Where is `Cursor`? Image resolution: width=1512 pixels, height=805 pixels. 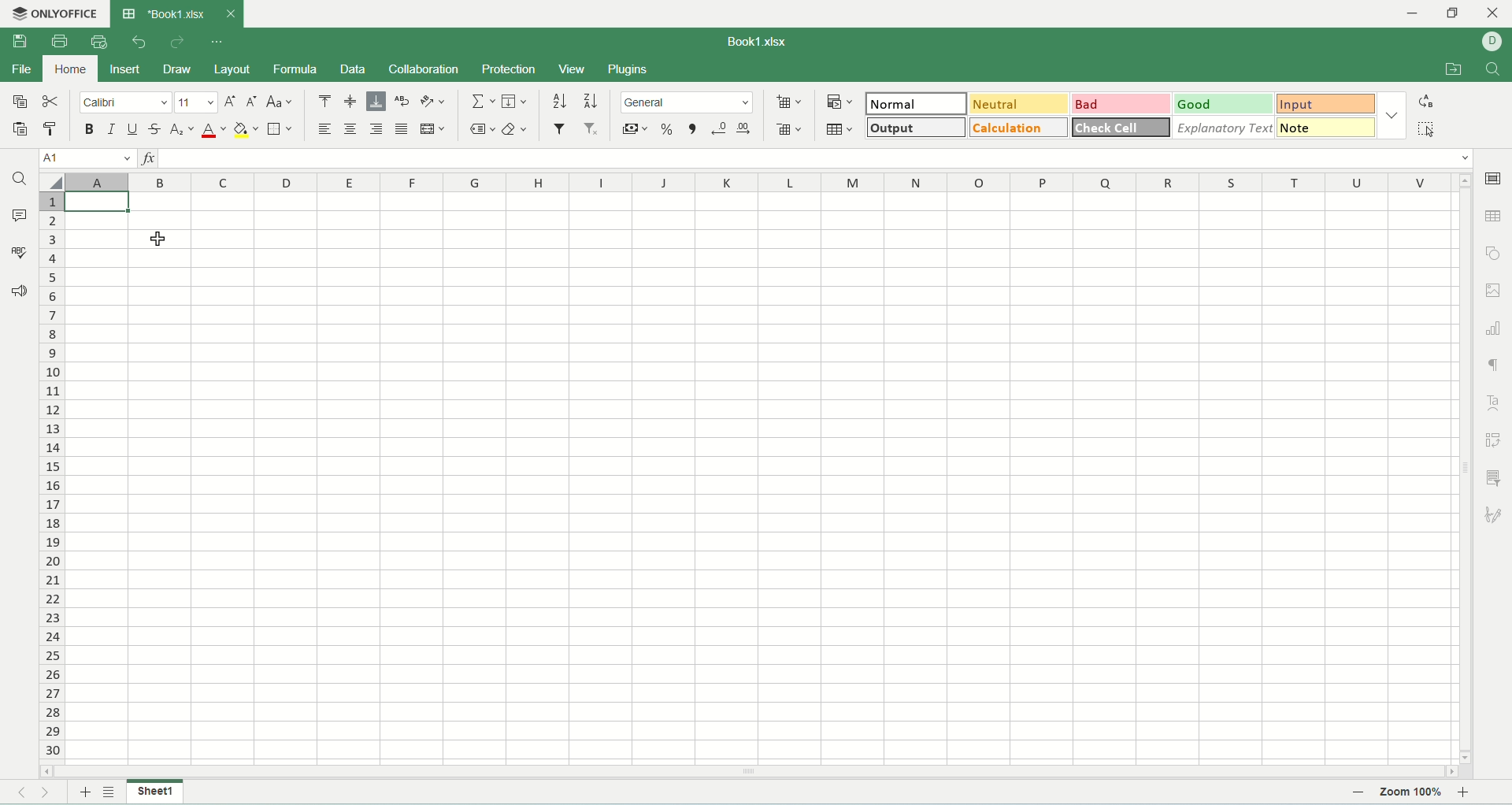 Cursor is located at coordinates (158, 239).